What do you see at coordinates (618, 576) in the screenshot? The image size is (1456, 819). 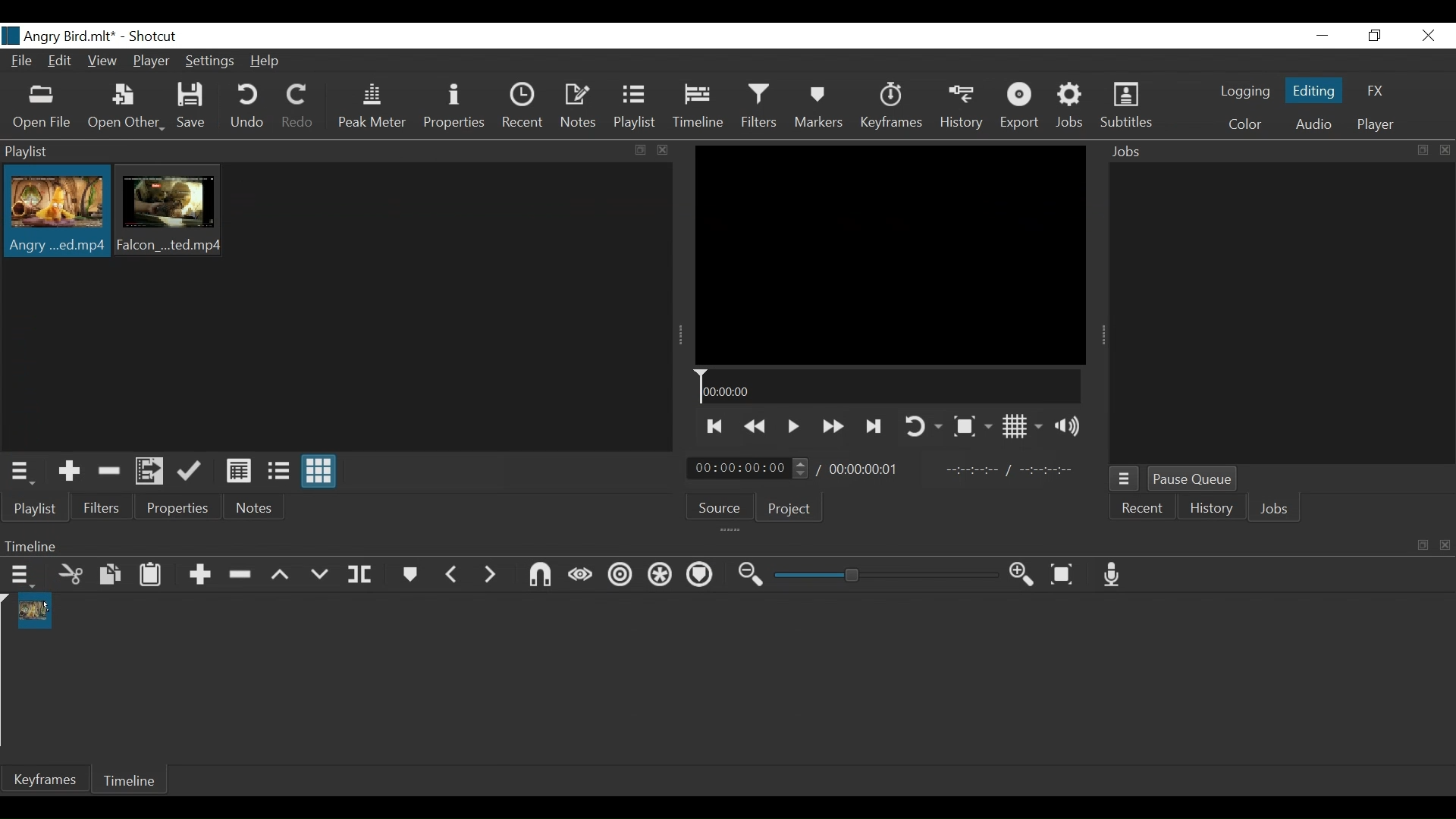 I see `Ripple` at bounding box center [618, 576].